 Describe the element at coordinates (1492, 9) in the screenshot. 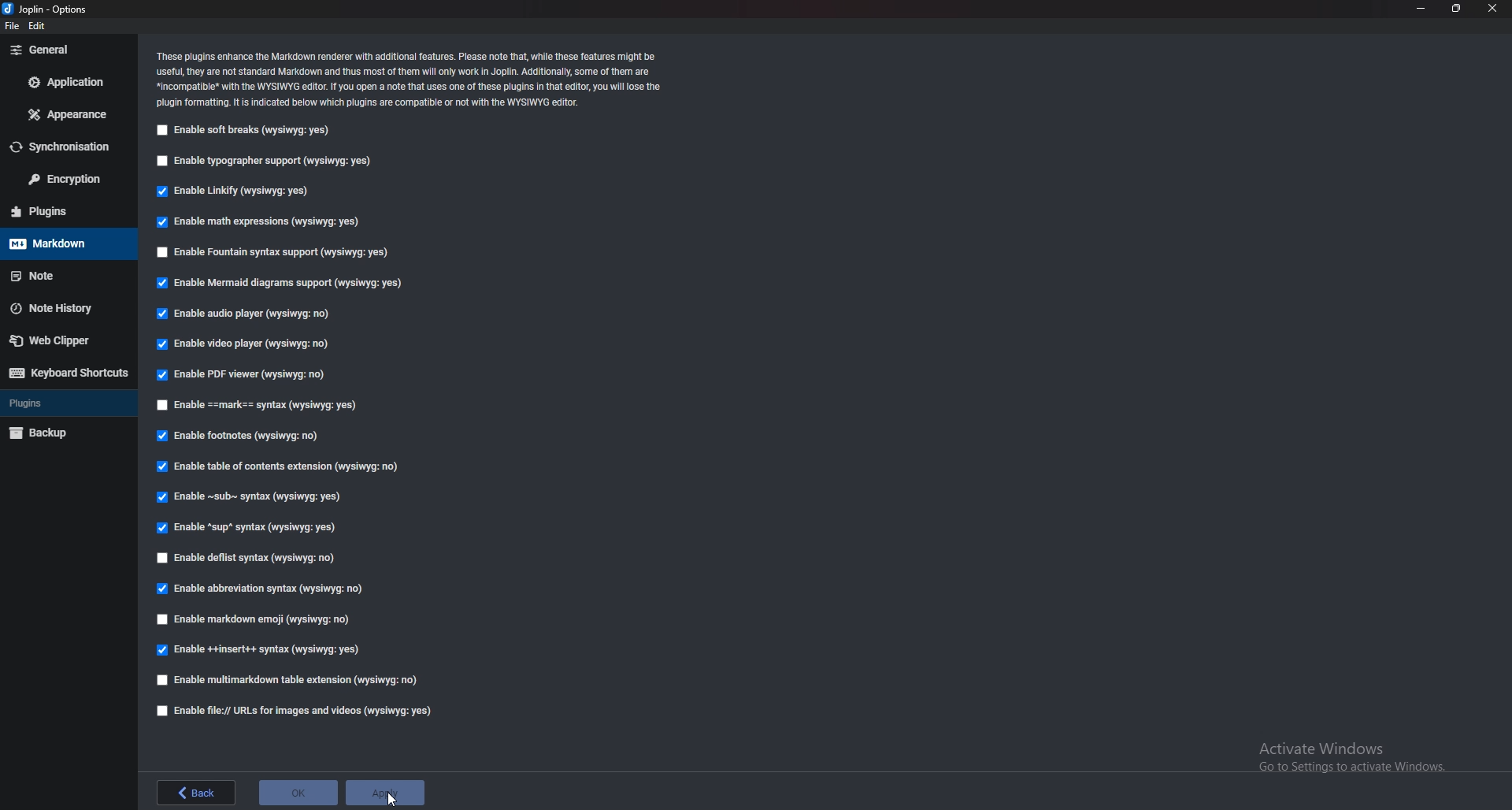

I see `close` at that location.